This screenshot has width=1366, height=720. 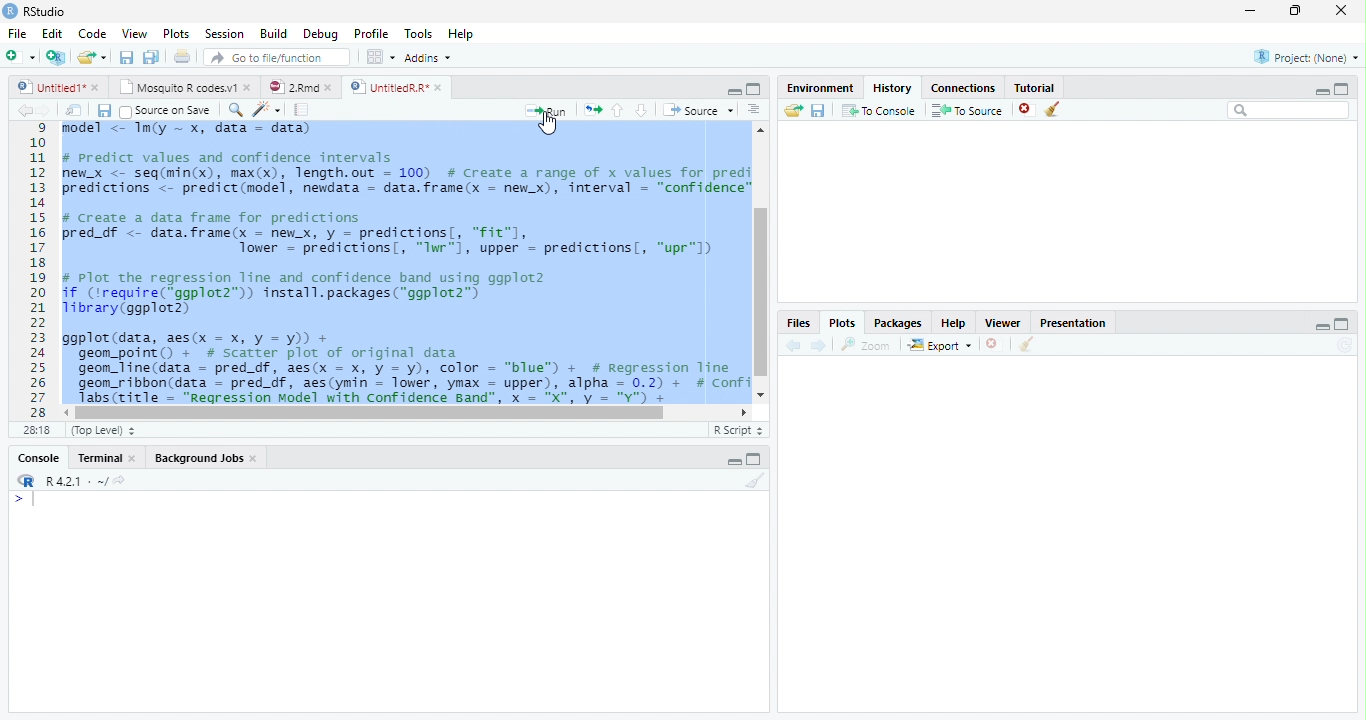 What do you see at coordinates (372, 34) in the screenshot?
I see `Profile` at bounding box center [372, 34].